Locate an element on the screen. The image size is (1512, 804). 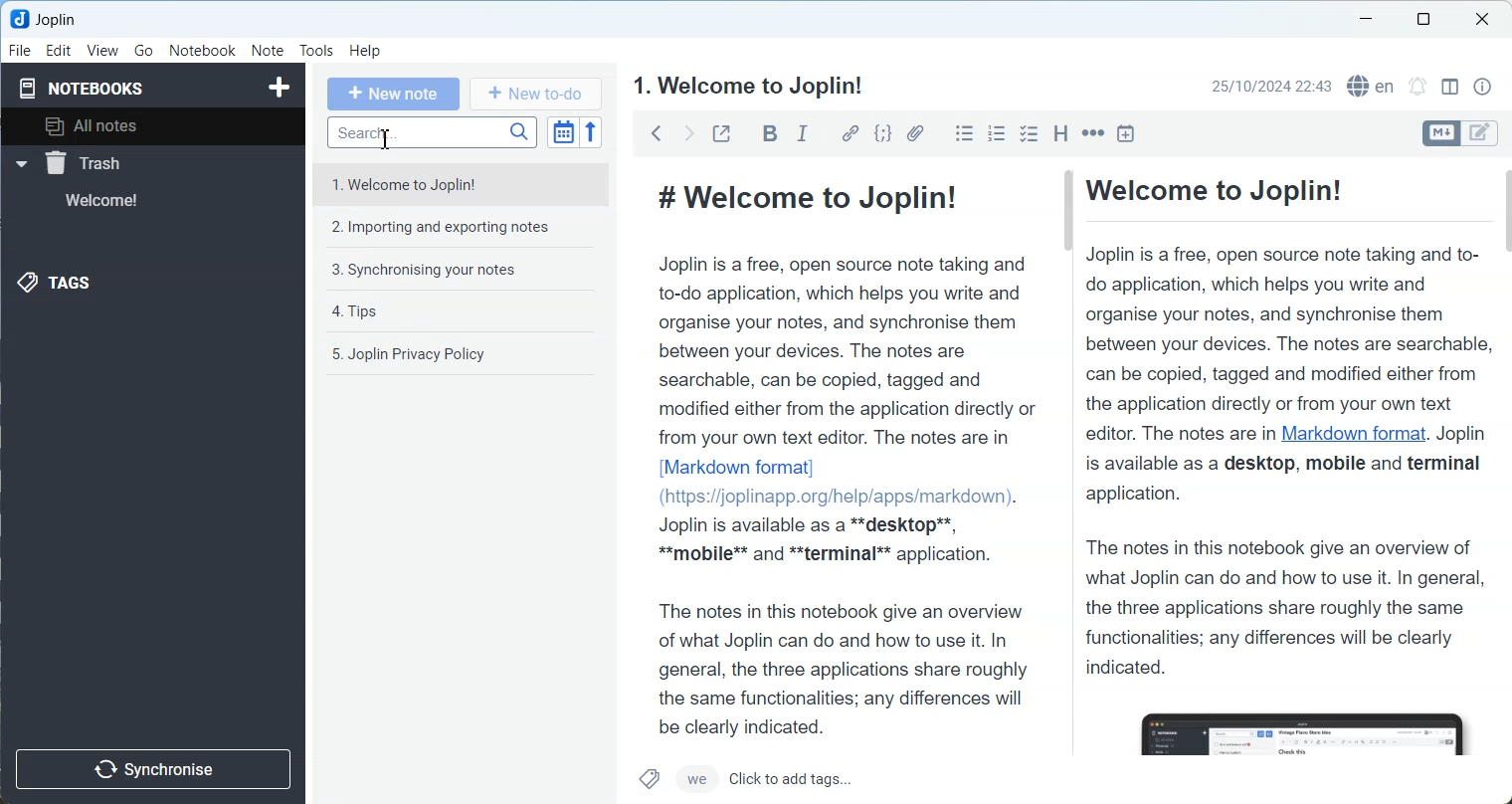
Search notes is located at coordinates (432, 132).